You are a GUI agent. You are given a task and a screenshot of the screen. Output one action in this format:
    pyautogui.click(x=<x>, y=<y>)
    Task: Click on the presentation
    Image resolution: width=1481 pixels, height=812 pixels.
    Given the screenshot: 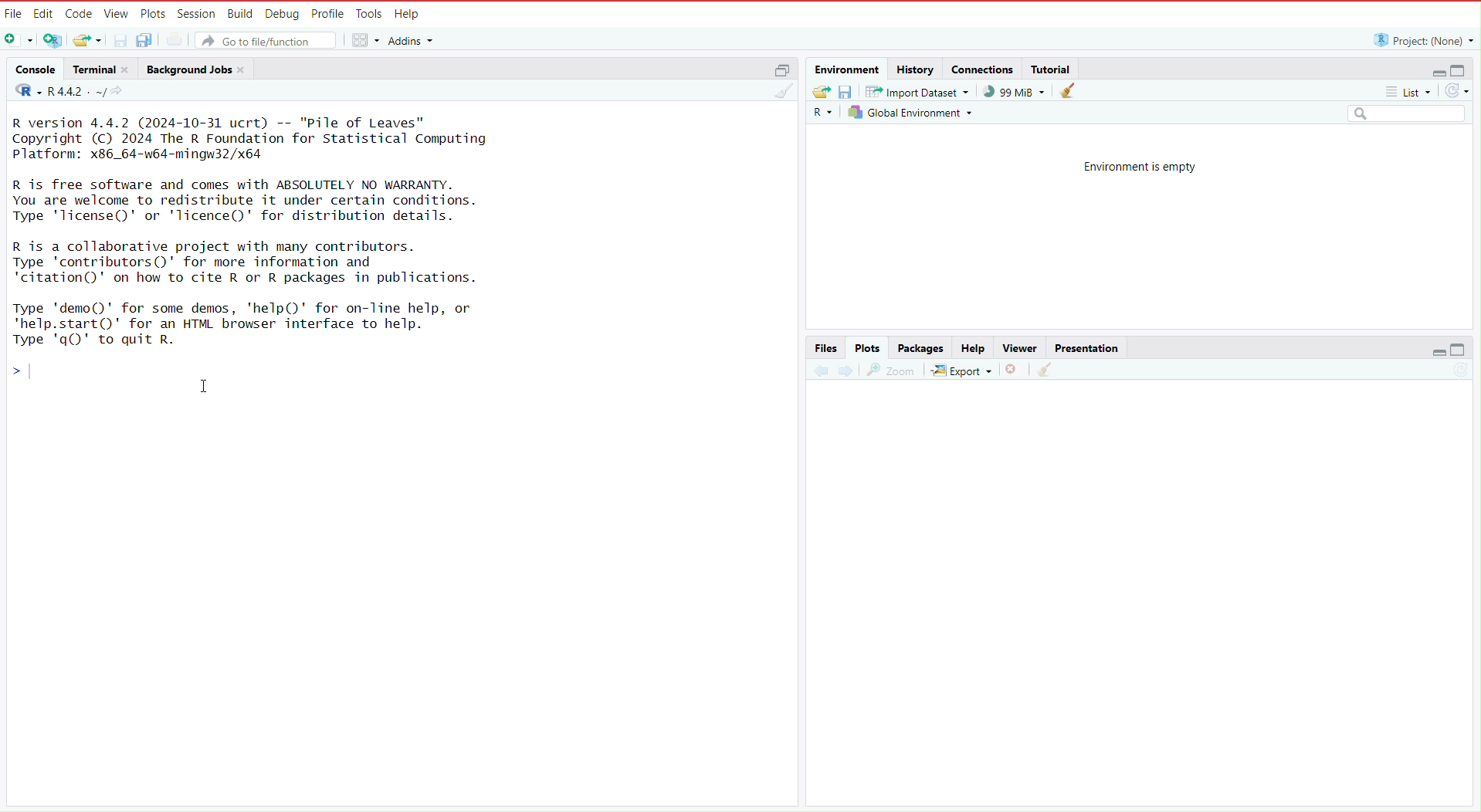 What is the action you would take?
    pyautogui.click(x=1089, y=347)
    